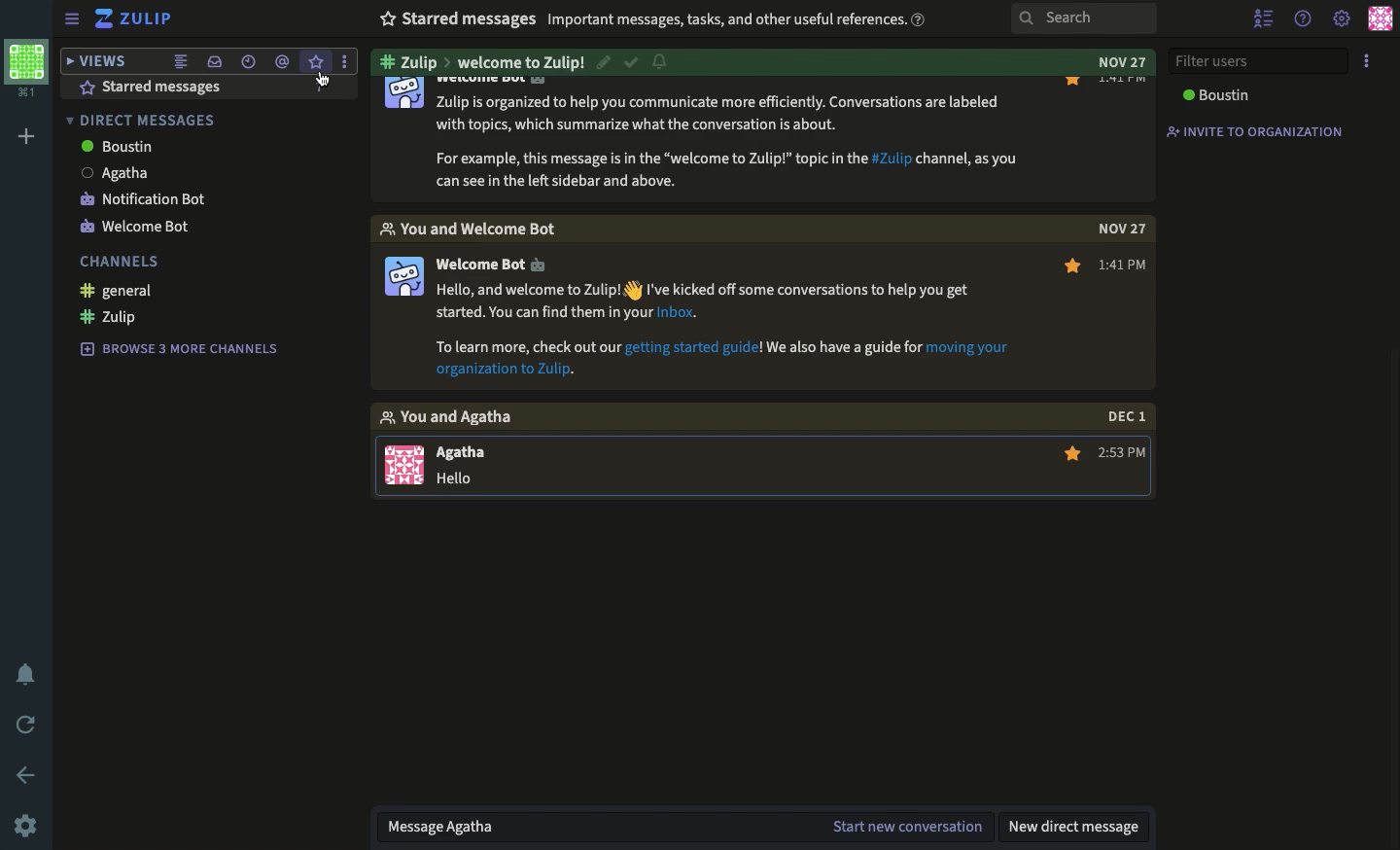  What do you see at coordinates (1380, 20) in the screenshot?
I see `user profile` at bounding box center [1380, 20].